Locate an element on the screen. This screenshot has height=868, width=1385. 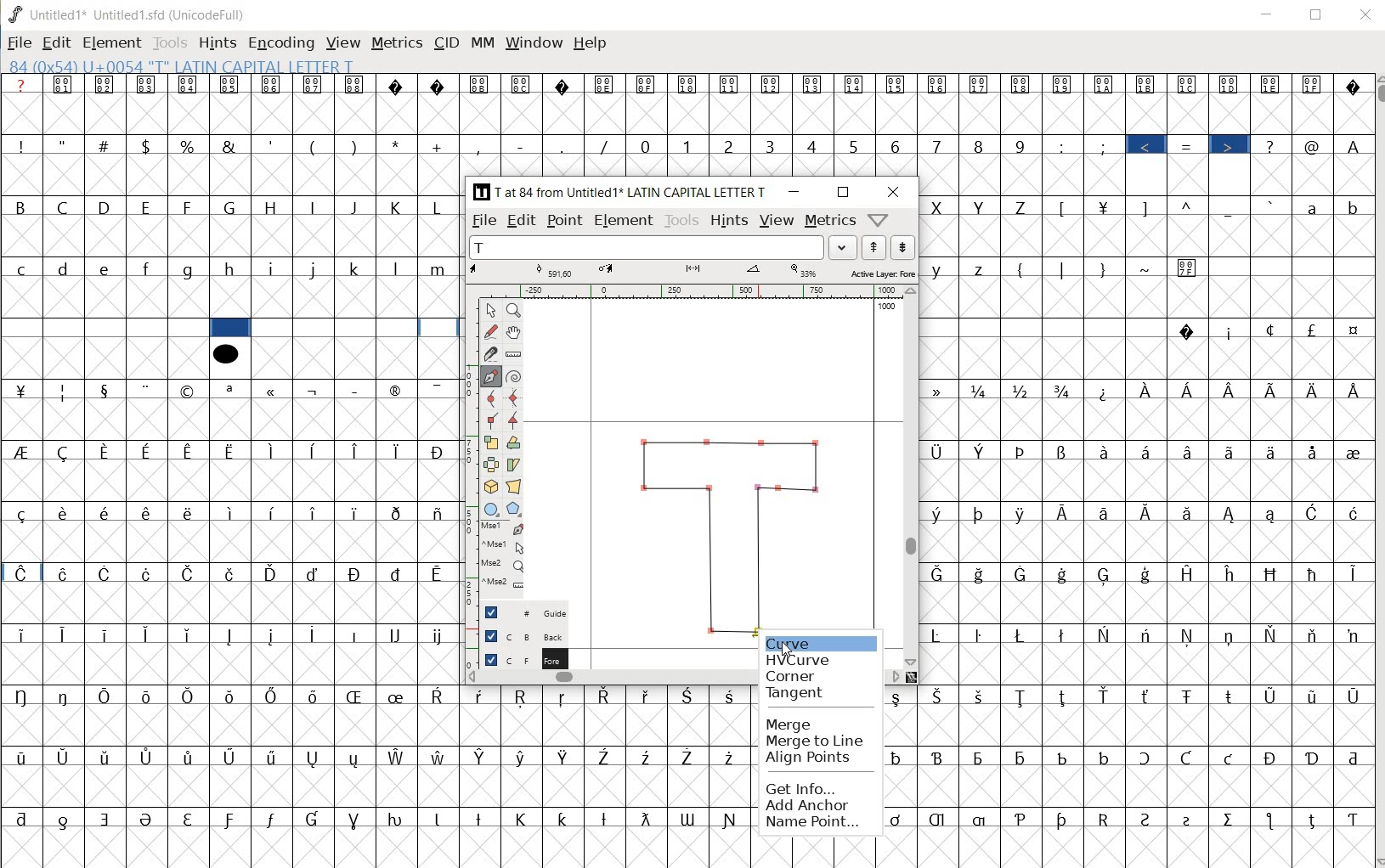
Symbol is located at coordinates (187, 84).